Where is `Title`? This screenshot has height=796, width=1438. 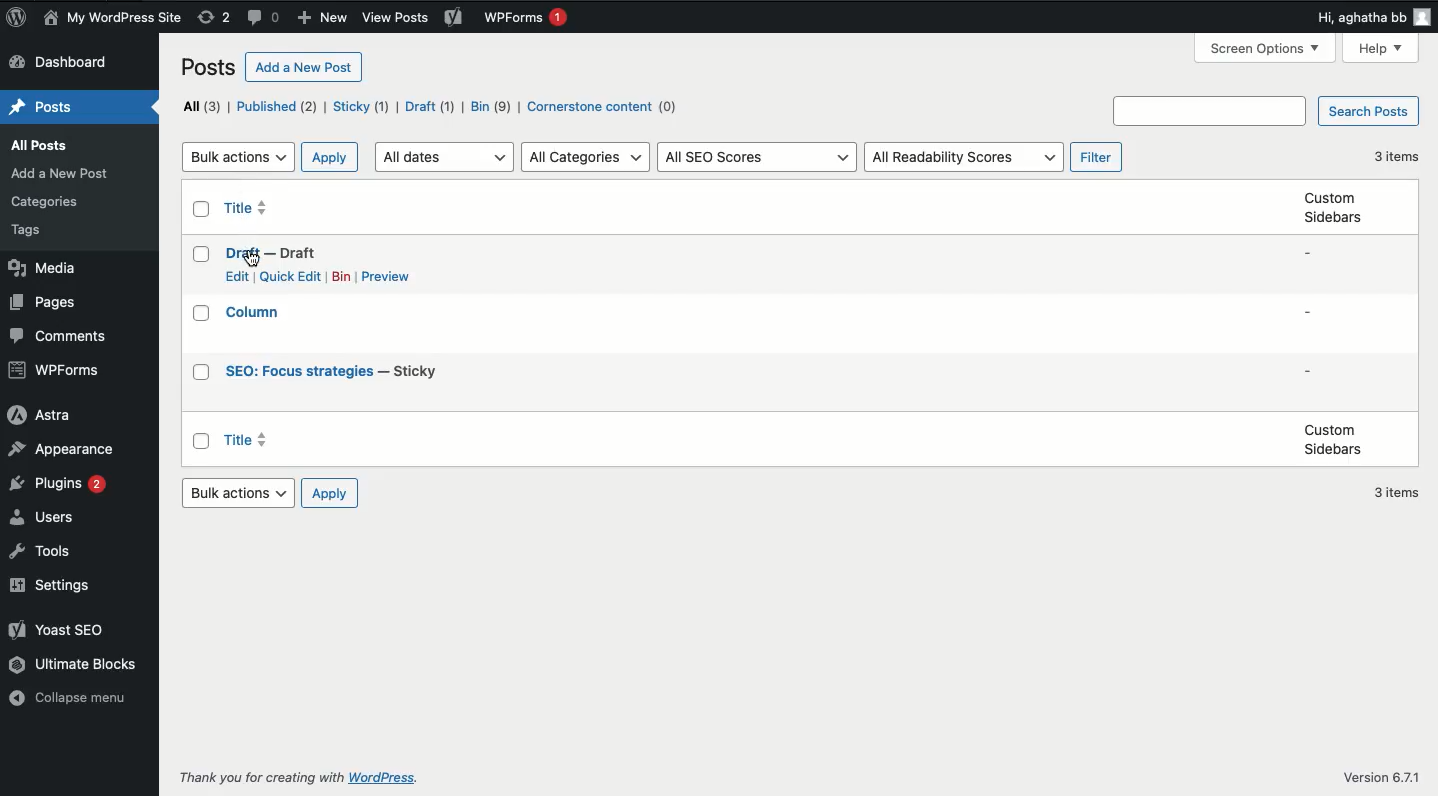 Title is located at coordinates (272, 254).